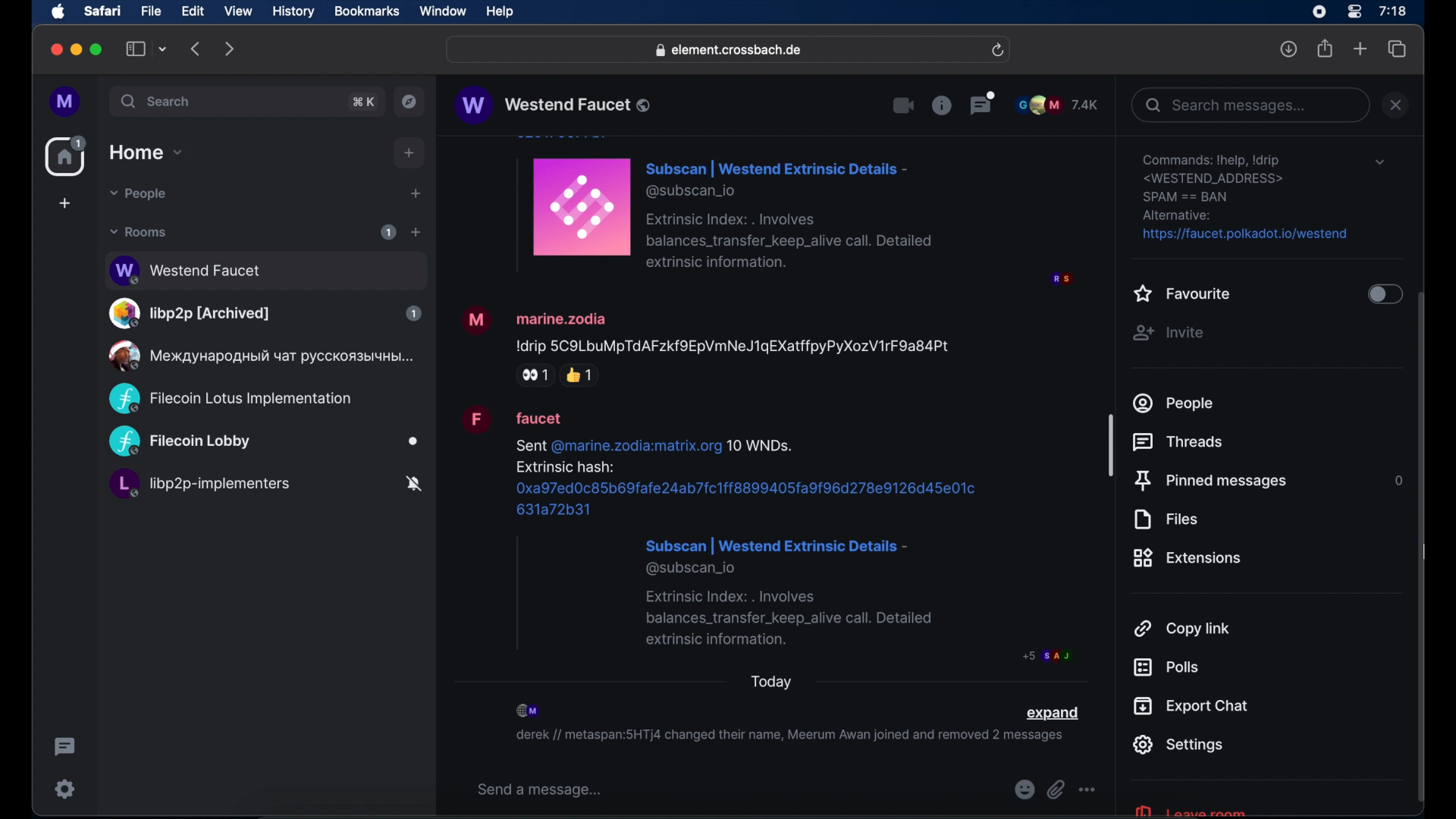 The image size is (1456, 819). Describe the element at coordinates (140, 194) in the screenshot. I see `` at that location.